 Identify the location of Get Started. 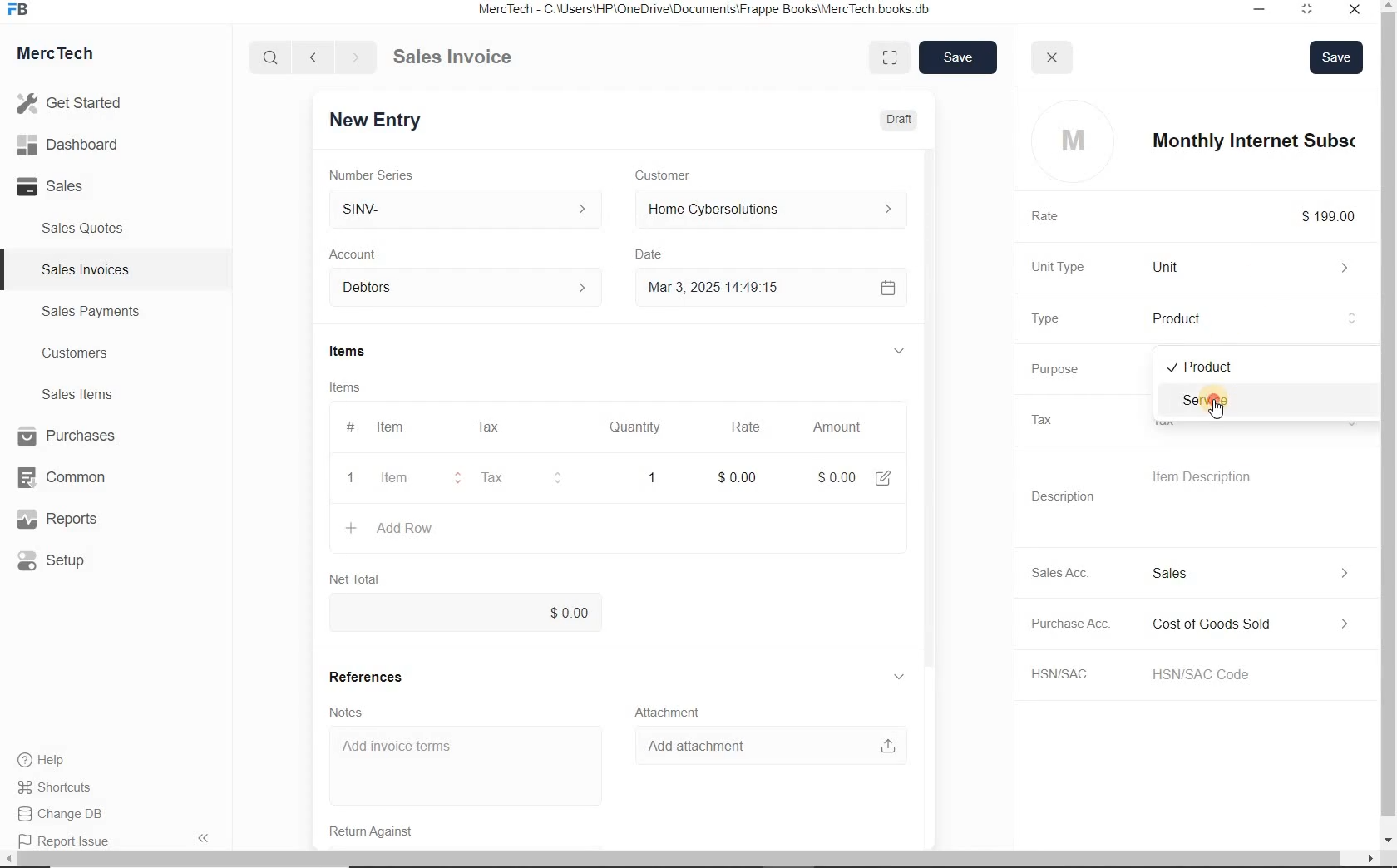
(75, 103).